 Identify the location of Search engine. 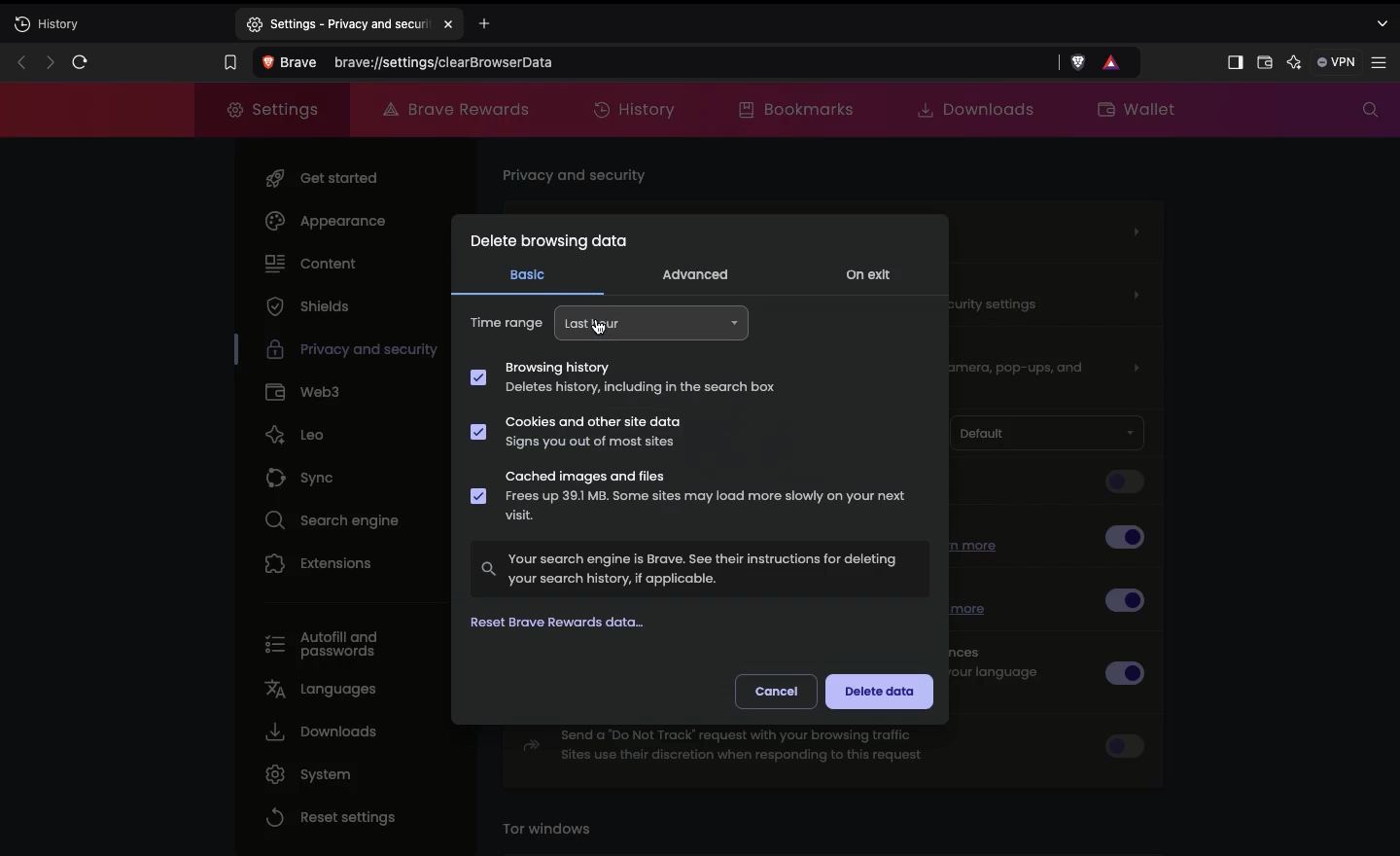
(337, 522).